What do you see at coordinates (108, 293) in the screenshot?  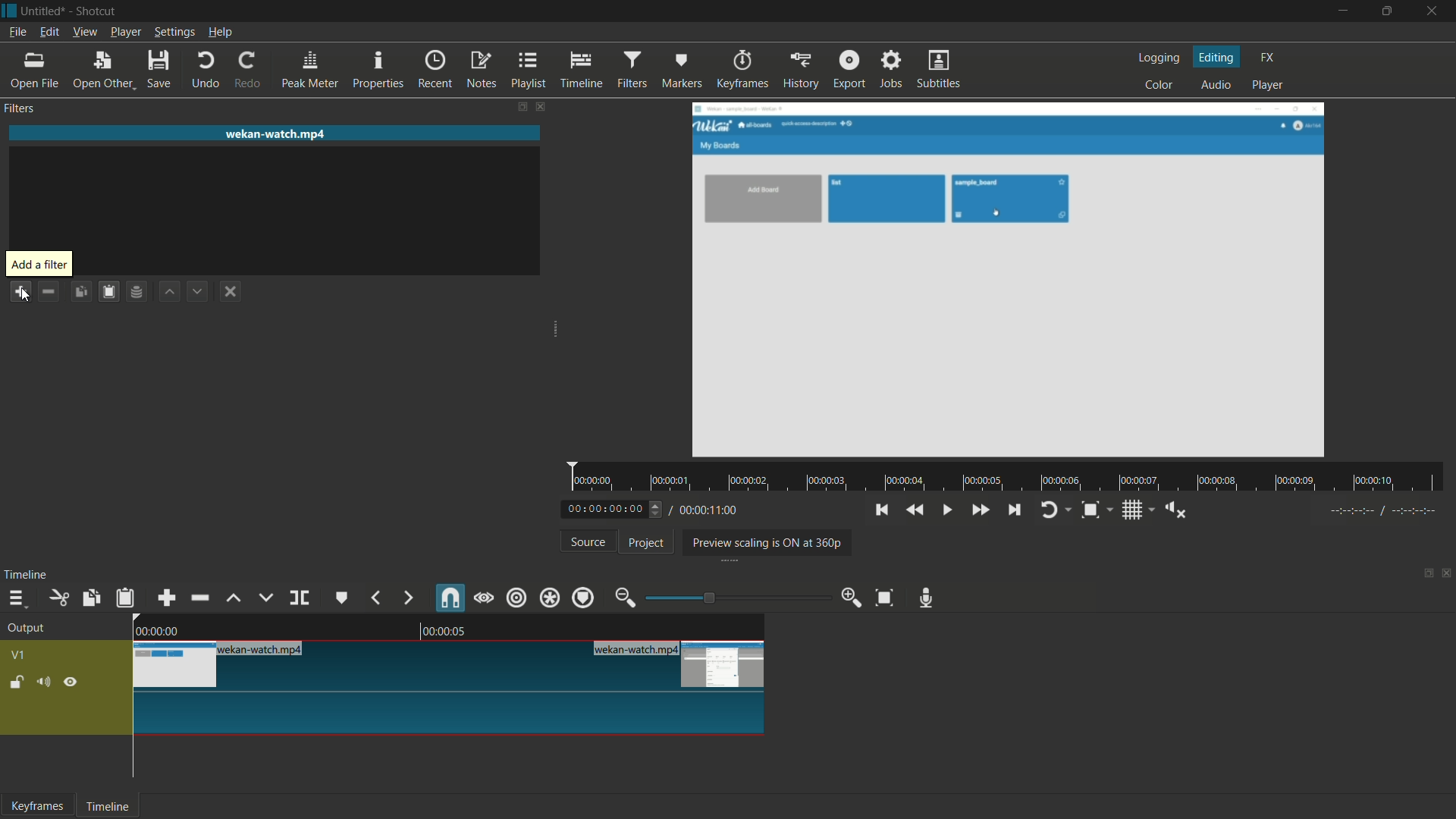 I see `paste filters` at bounding box center [108, 293].